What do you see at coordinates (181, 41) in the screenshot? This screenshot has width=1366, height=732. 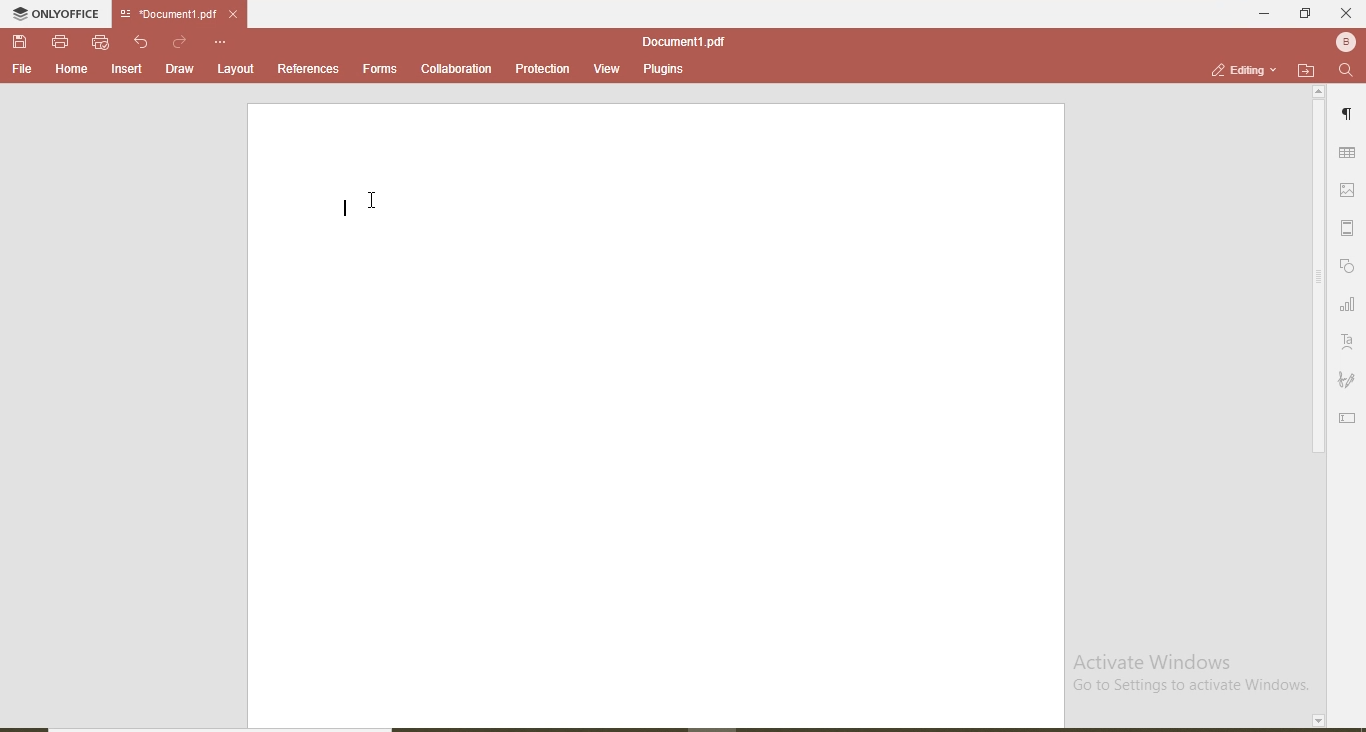 I see `redo` at bounding box center [181, 41].